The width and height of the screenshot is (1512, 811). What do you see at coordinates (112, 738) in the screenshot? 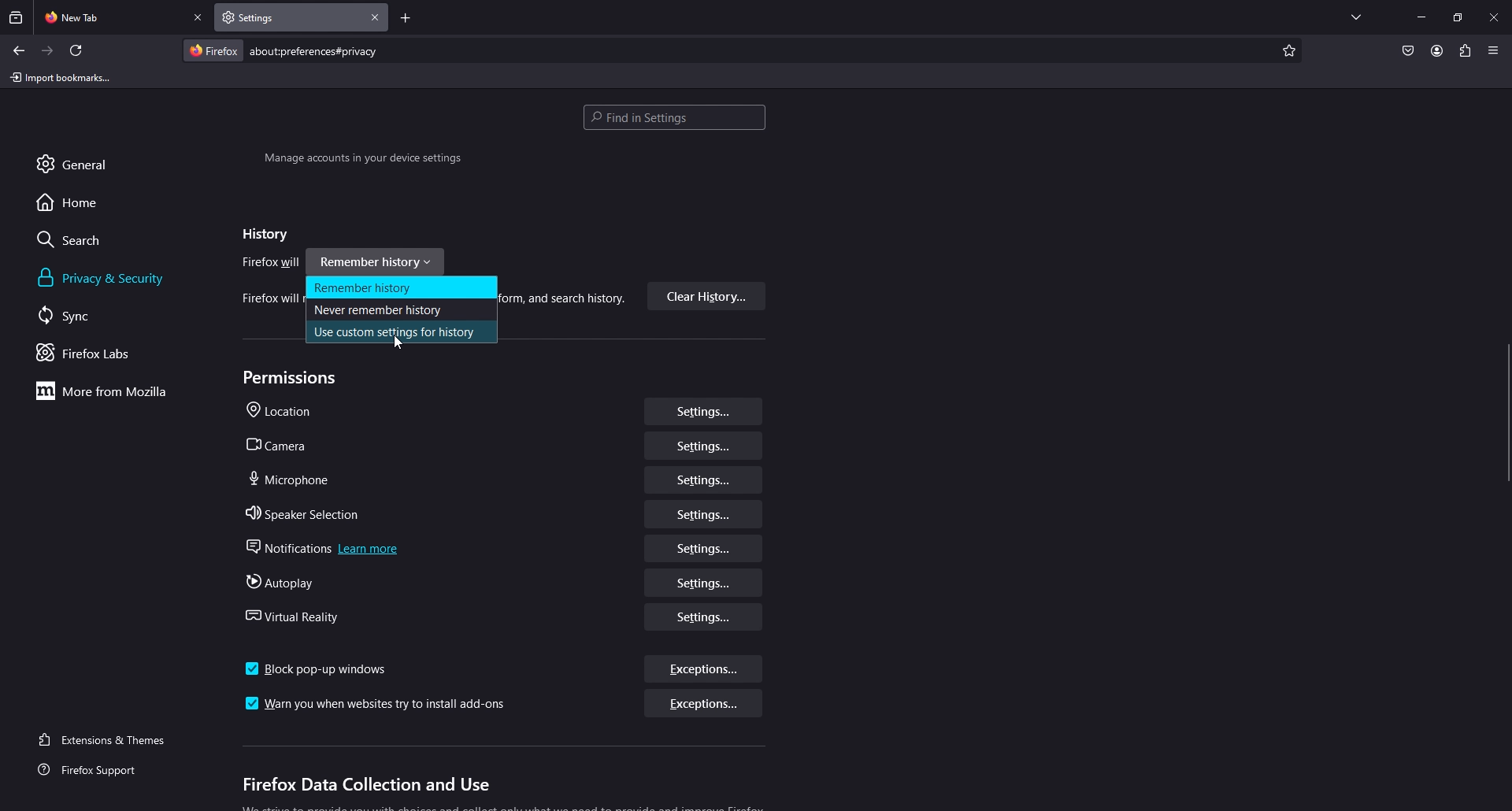
I see `extensions and themes` at bounding box center [112, 738].